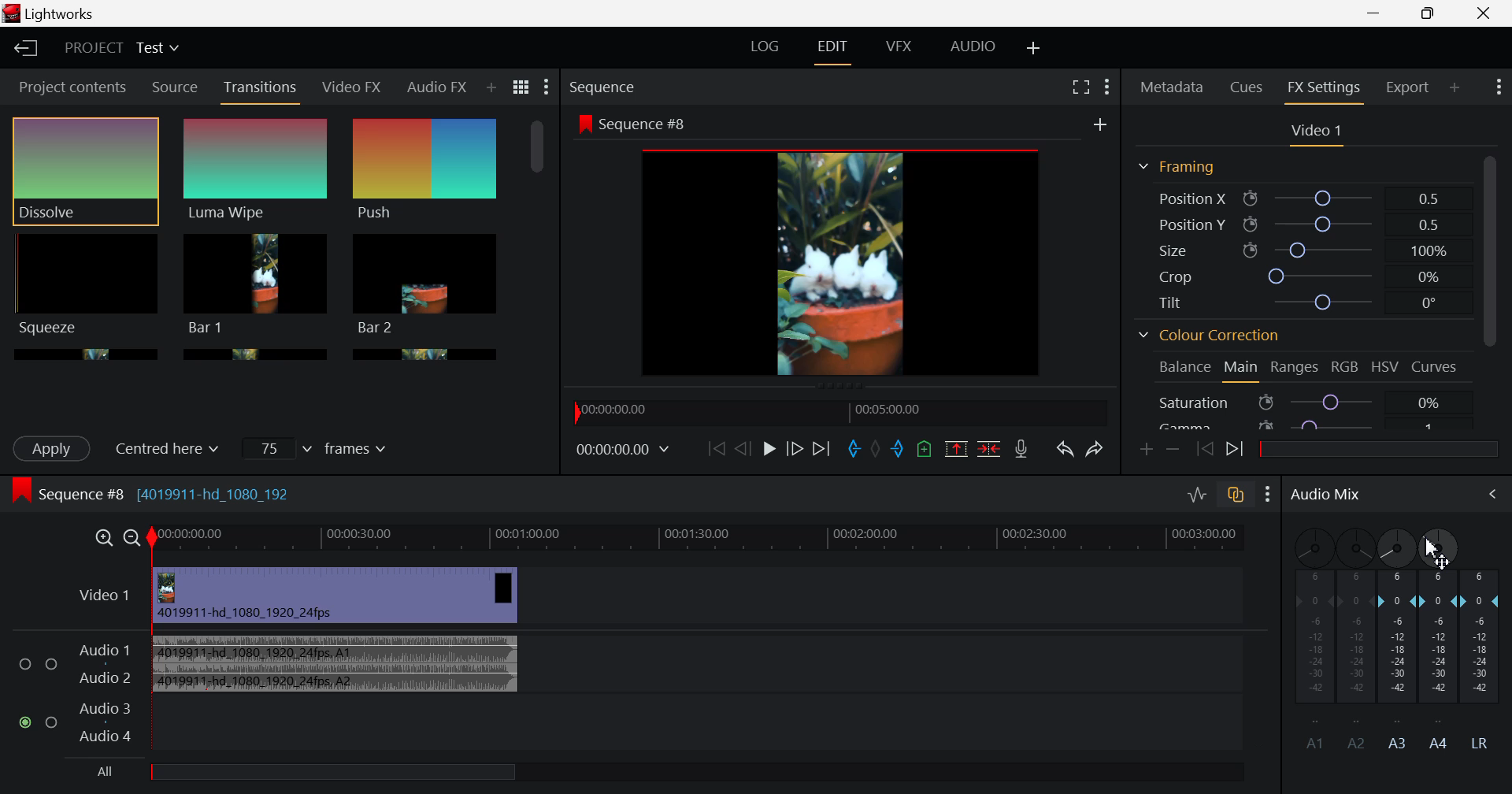 This screenshot has width=1512, height=794. Describe the element at coordinates (606, 87) in the screenshot. I see `Sequence Preview Section` at that location.